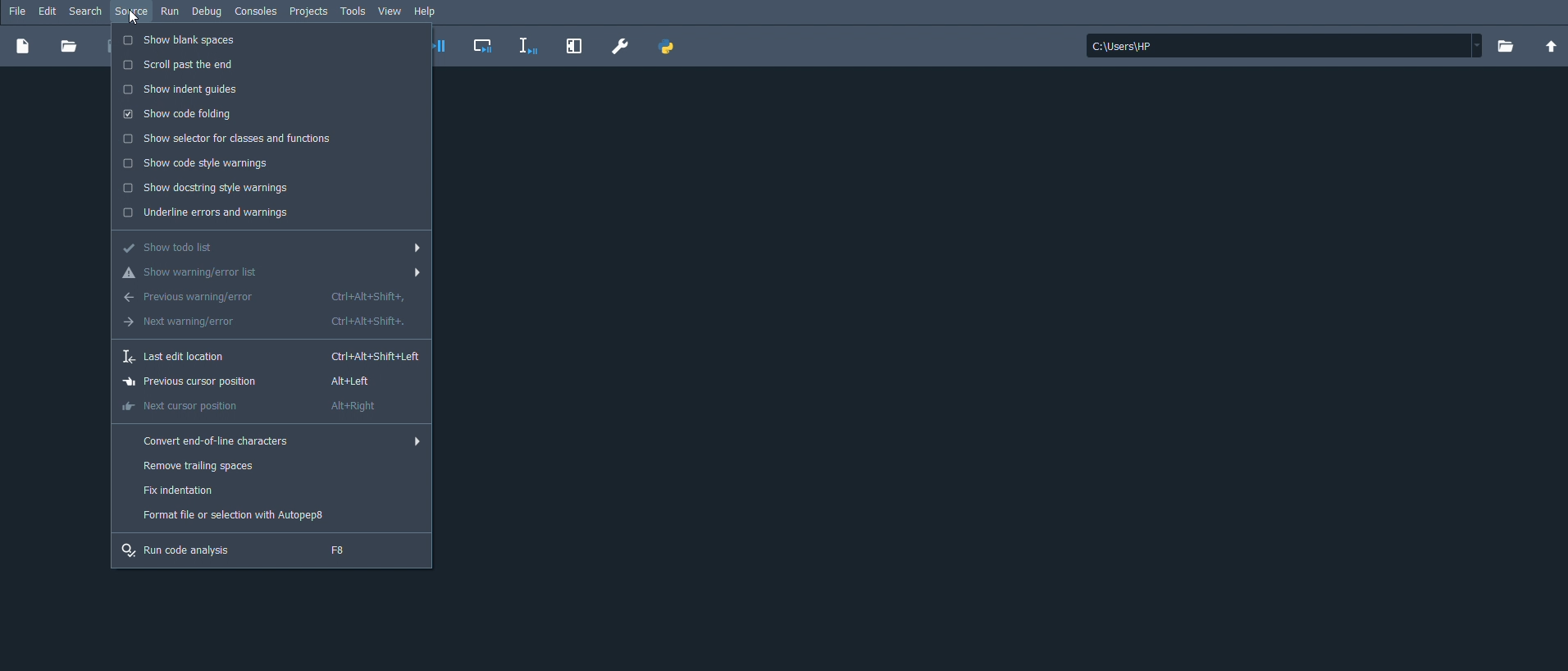 The image size is (1568, 671). Describe the element at coordinates (207, 214) in the screenshot. I see `Underline errors and warnings` at that location.